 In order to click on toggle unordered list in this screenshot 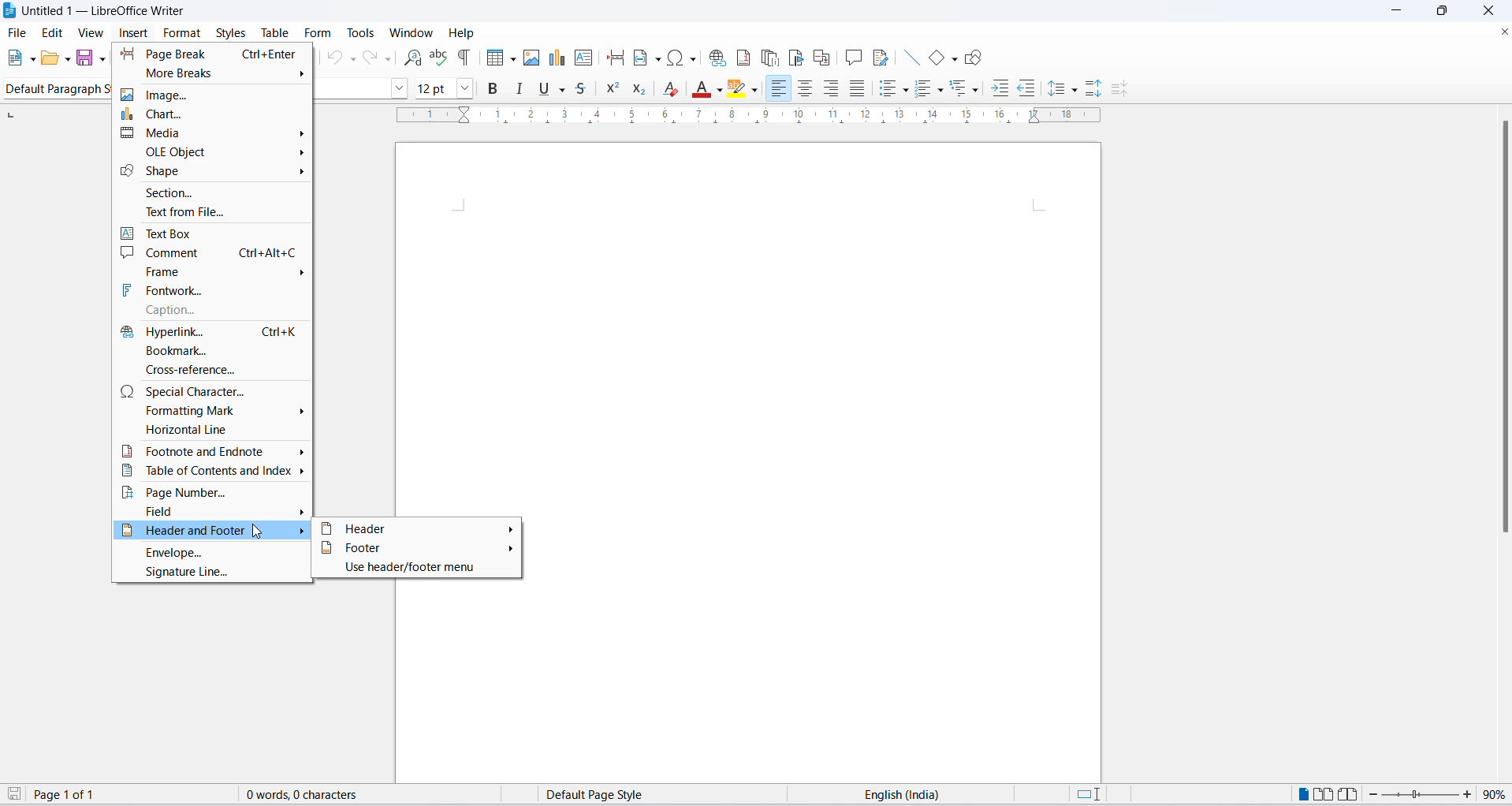, I will do `click(906, 91)`.